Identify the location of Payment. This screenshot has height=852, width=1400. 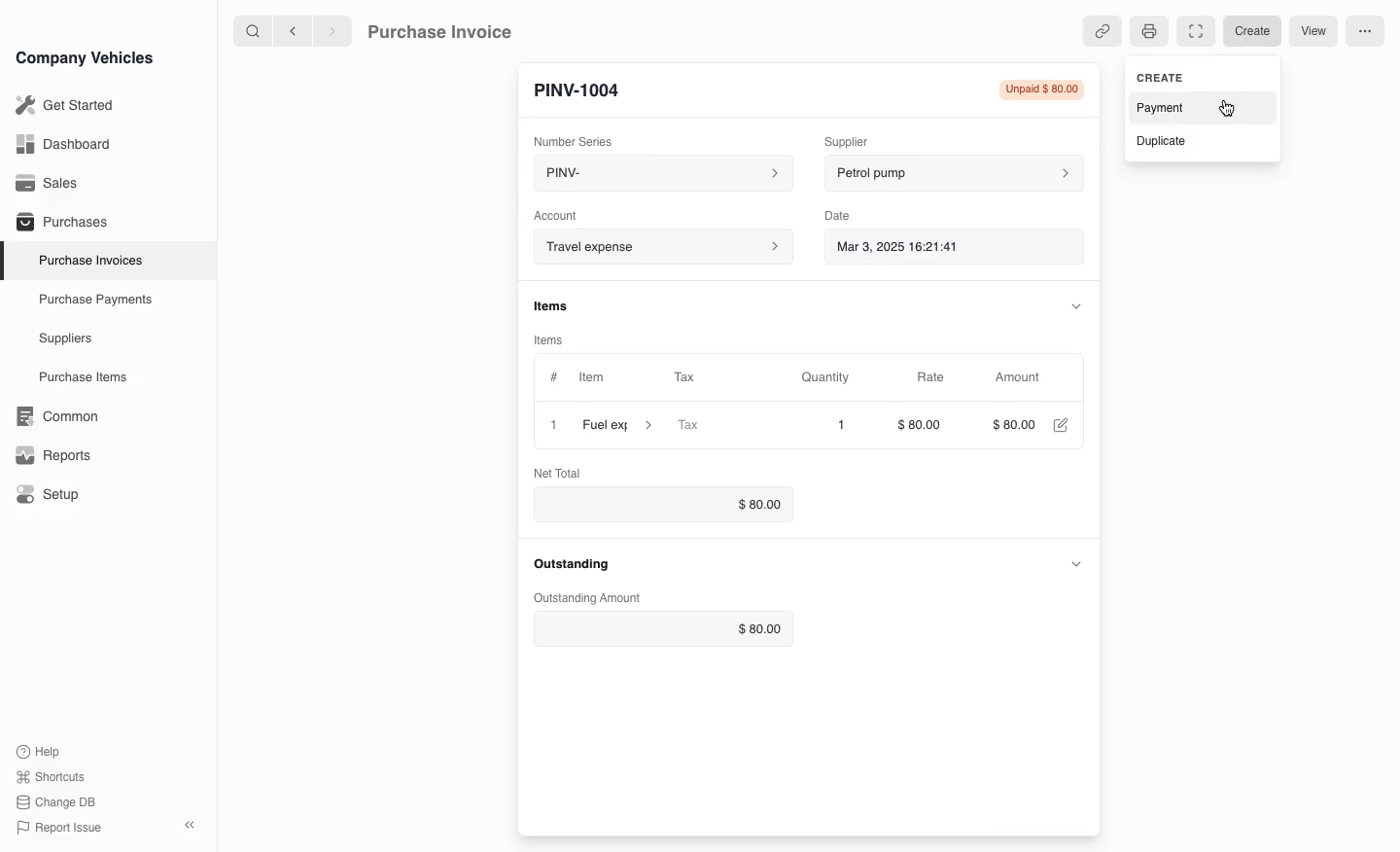
(1195, 107).